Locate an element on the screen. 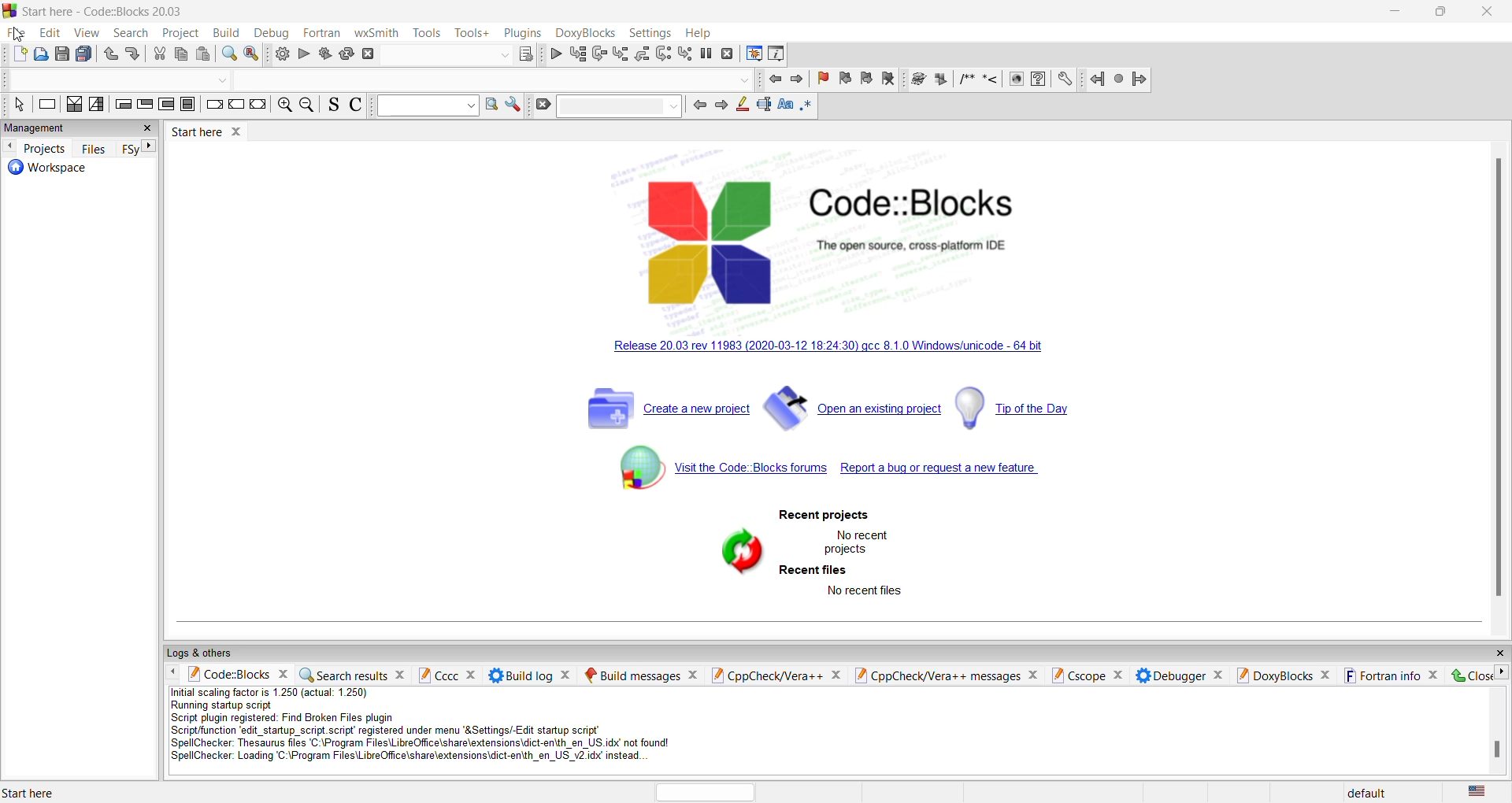 This screenshot has height=803, width=1512. less than is located at coordinates (991, 80).